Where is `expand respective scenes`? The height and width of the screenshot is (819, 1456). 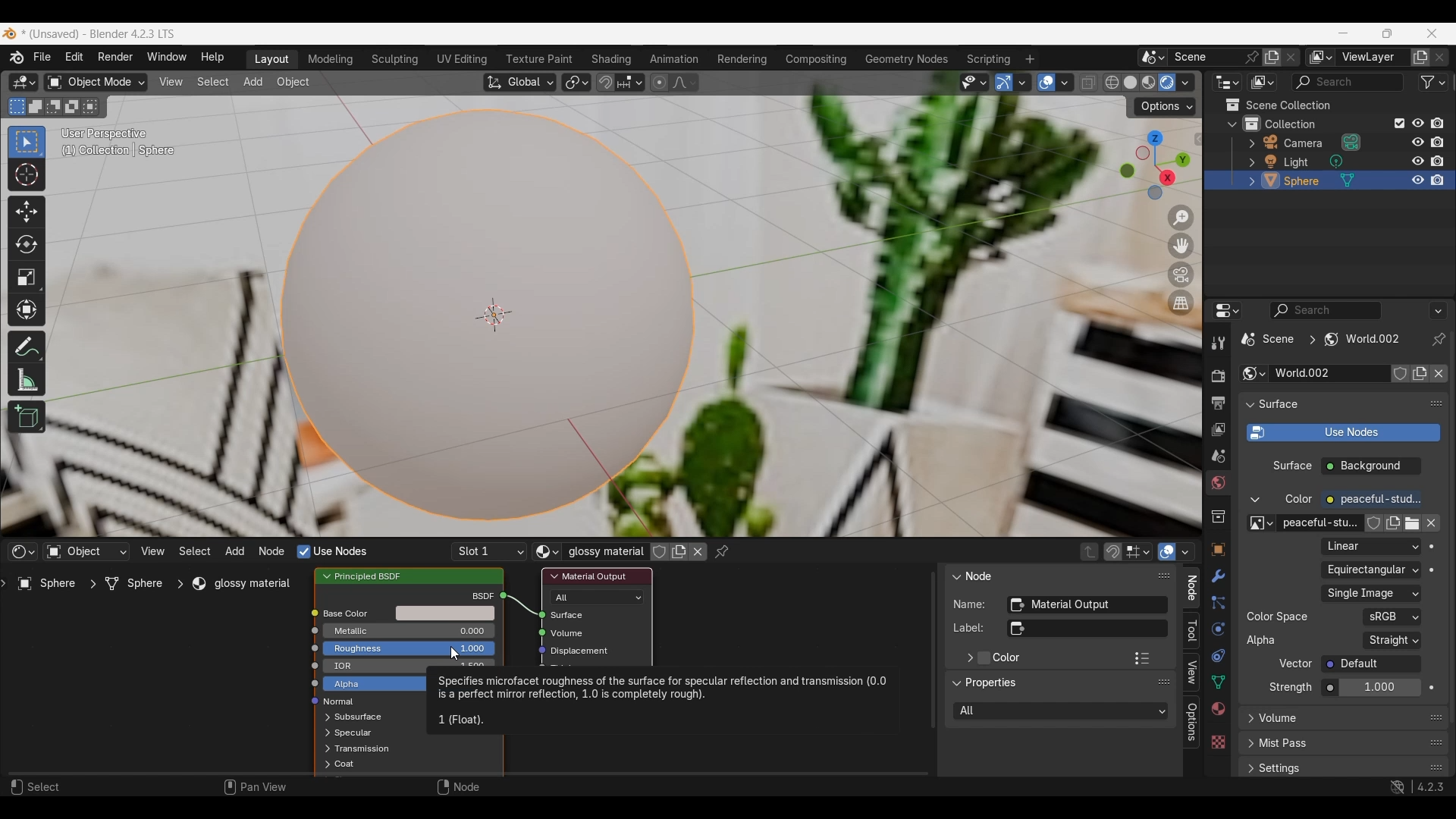
expand respective scenes is located at coordinates (325, 749).